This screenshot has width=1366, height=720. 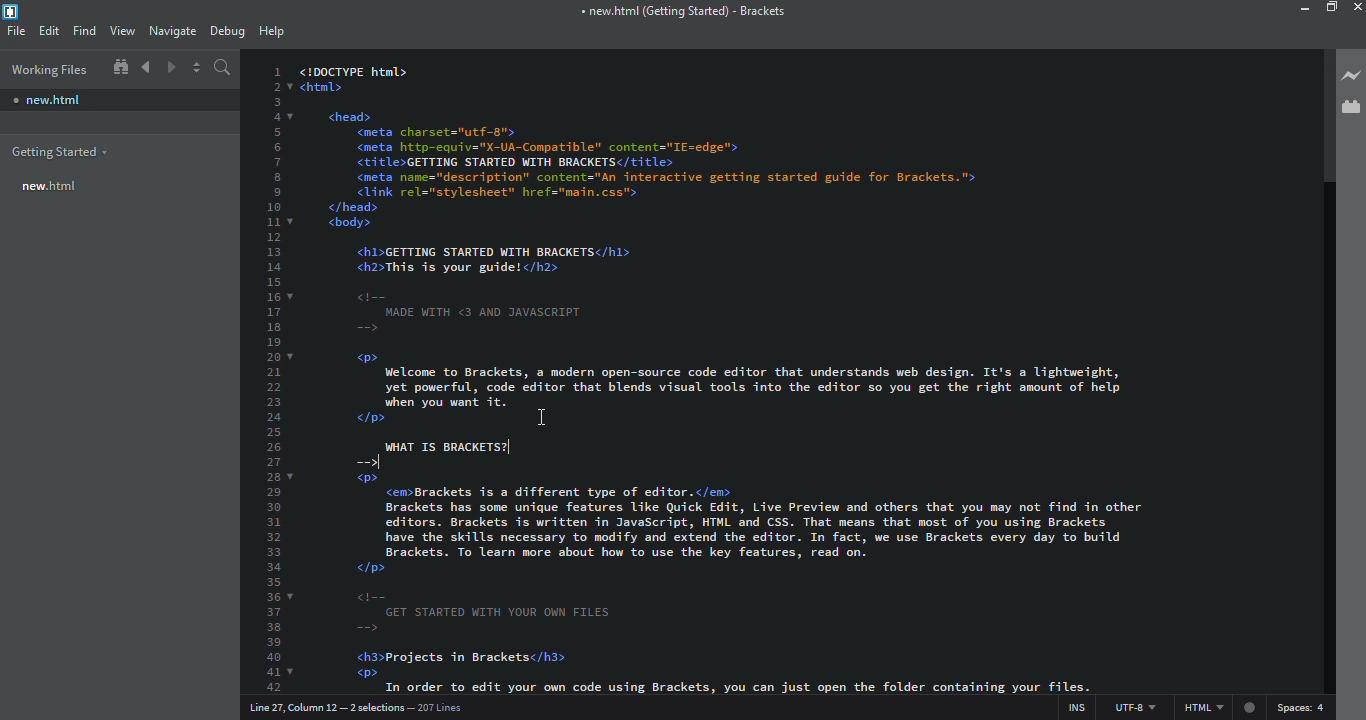 I want to click on test code, so click(x=757, y=249).